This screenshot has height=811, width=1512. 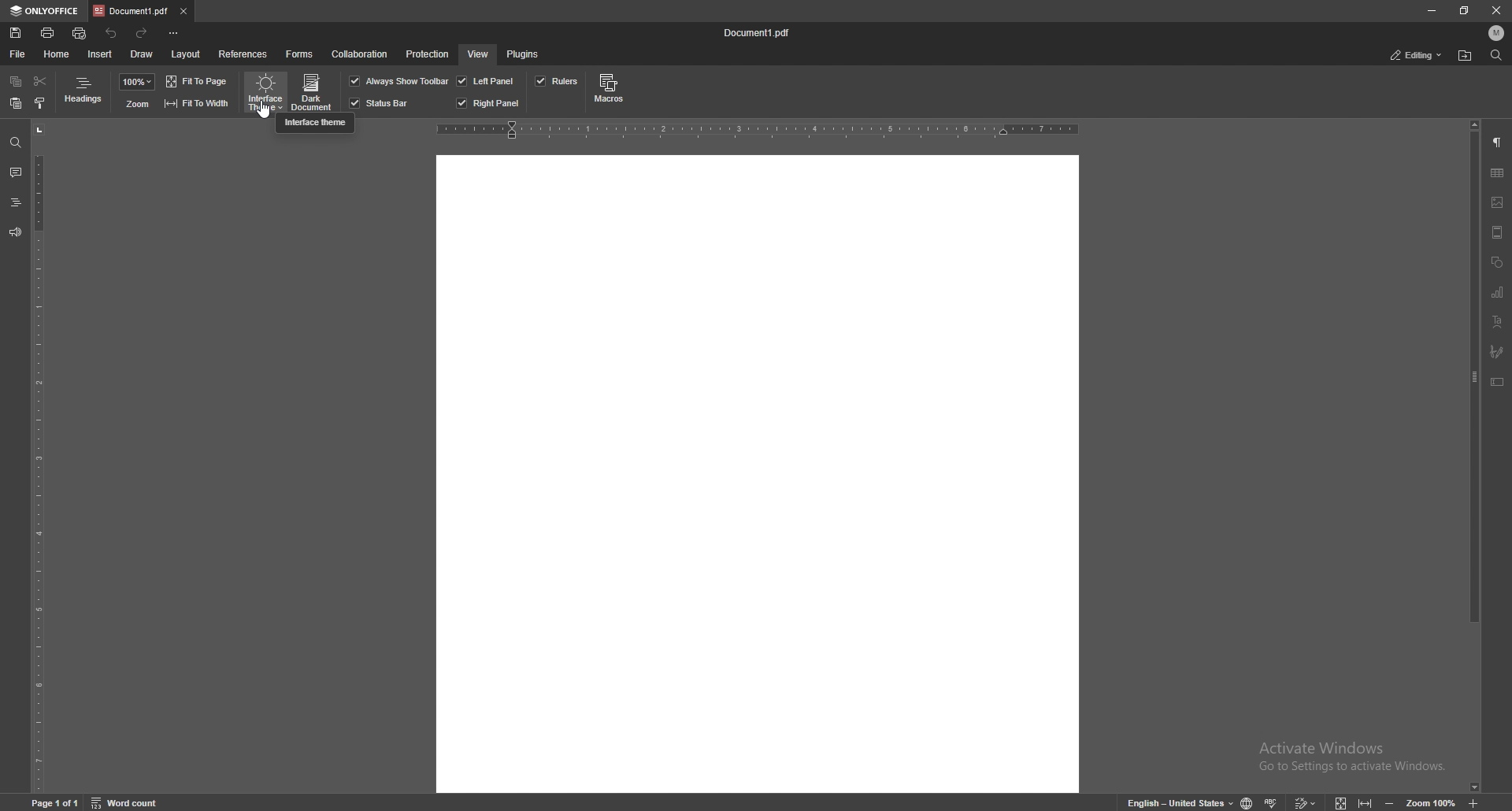 What do you see at coordinates (1499, 294) in the screenshot?
I see `chart` at bounding box center [1499, 294].